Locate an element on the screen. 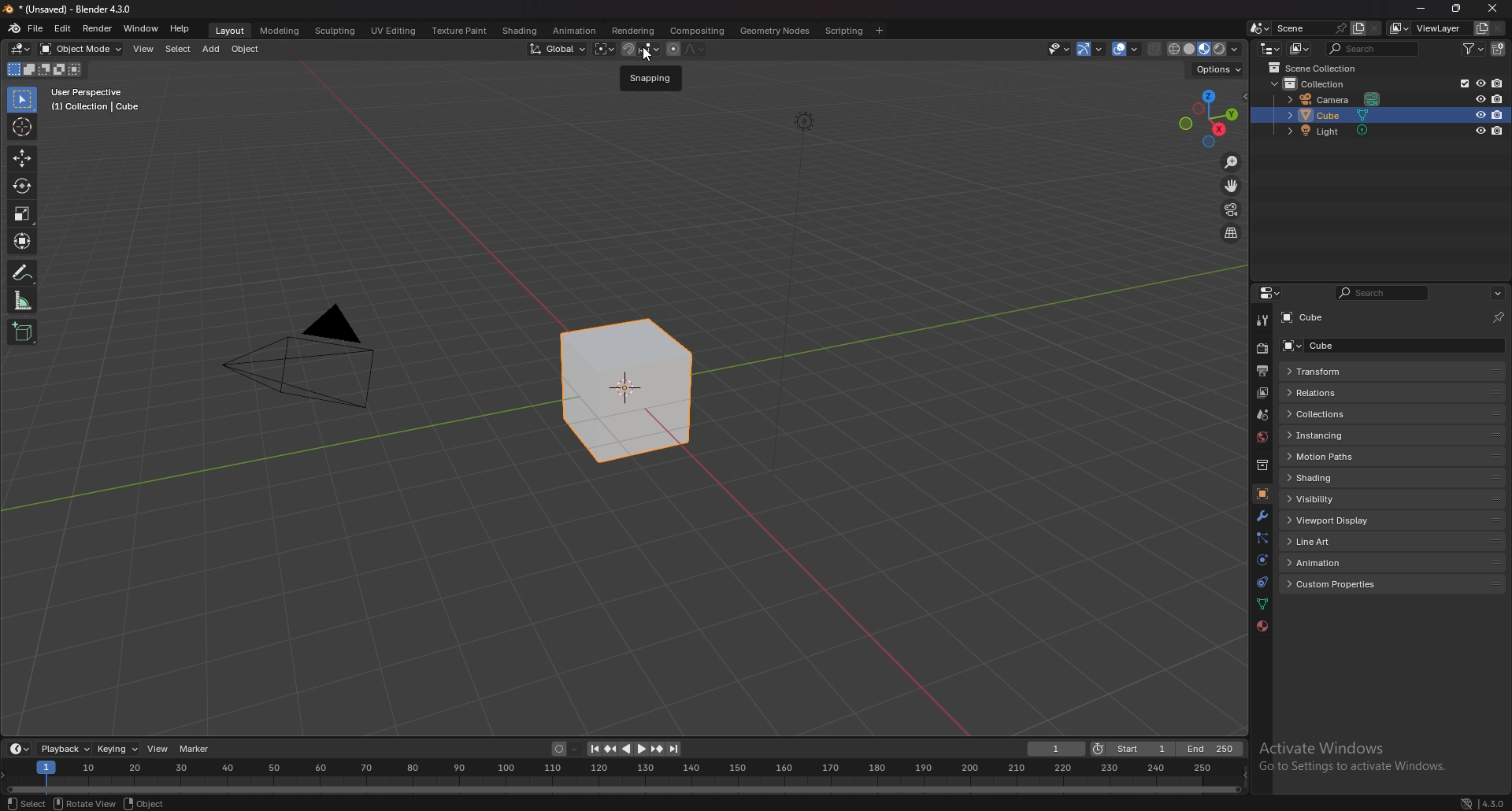 The width and height of the screenshot is (1512, 811). options is located at coordinates (1221, 71).